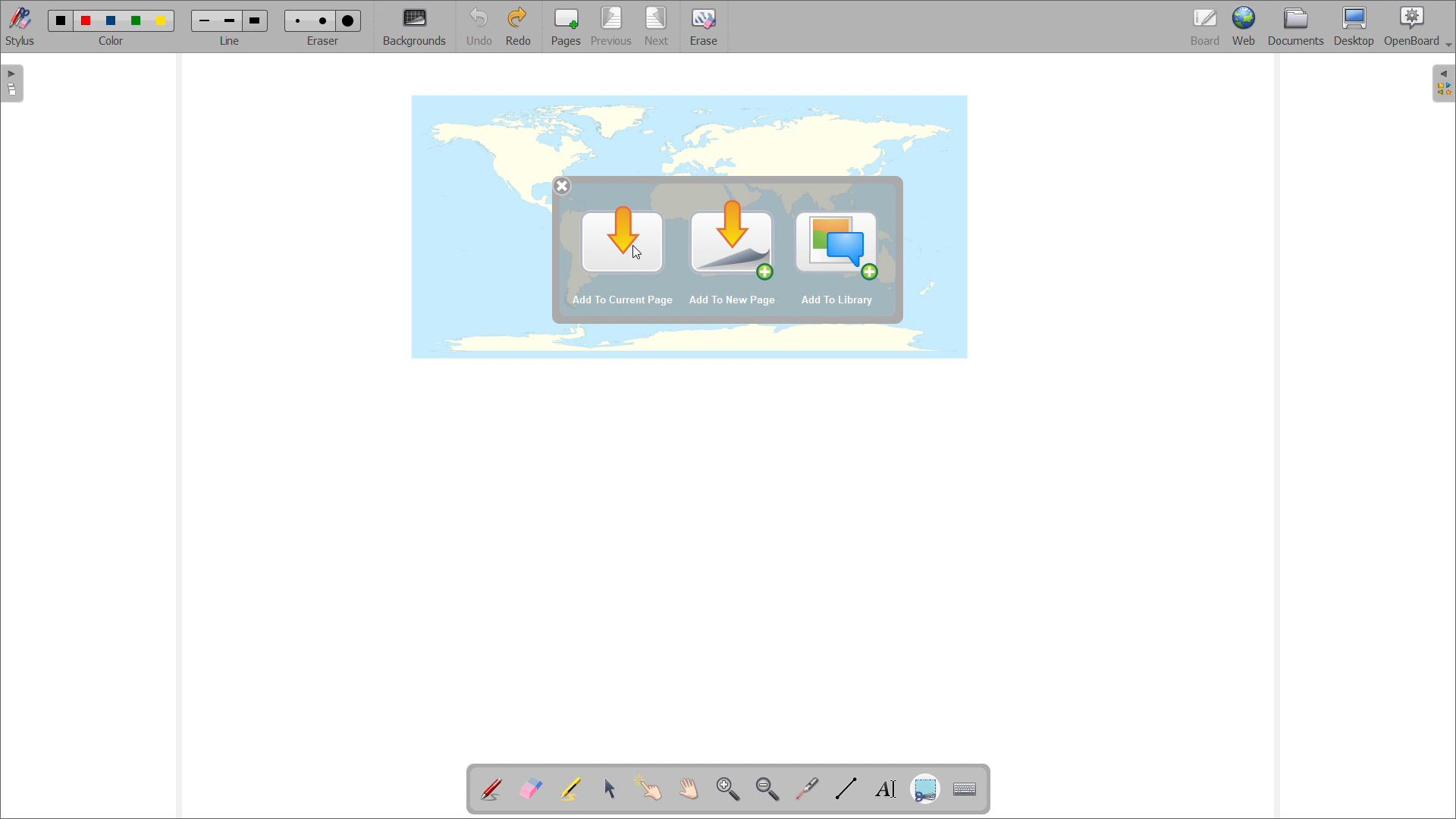 The width and height of the screenshot is (1456, 819). I want to click on zoom out, so click(767, 789).